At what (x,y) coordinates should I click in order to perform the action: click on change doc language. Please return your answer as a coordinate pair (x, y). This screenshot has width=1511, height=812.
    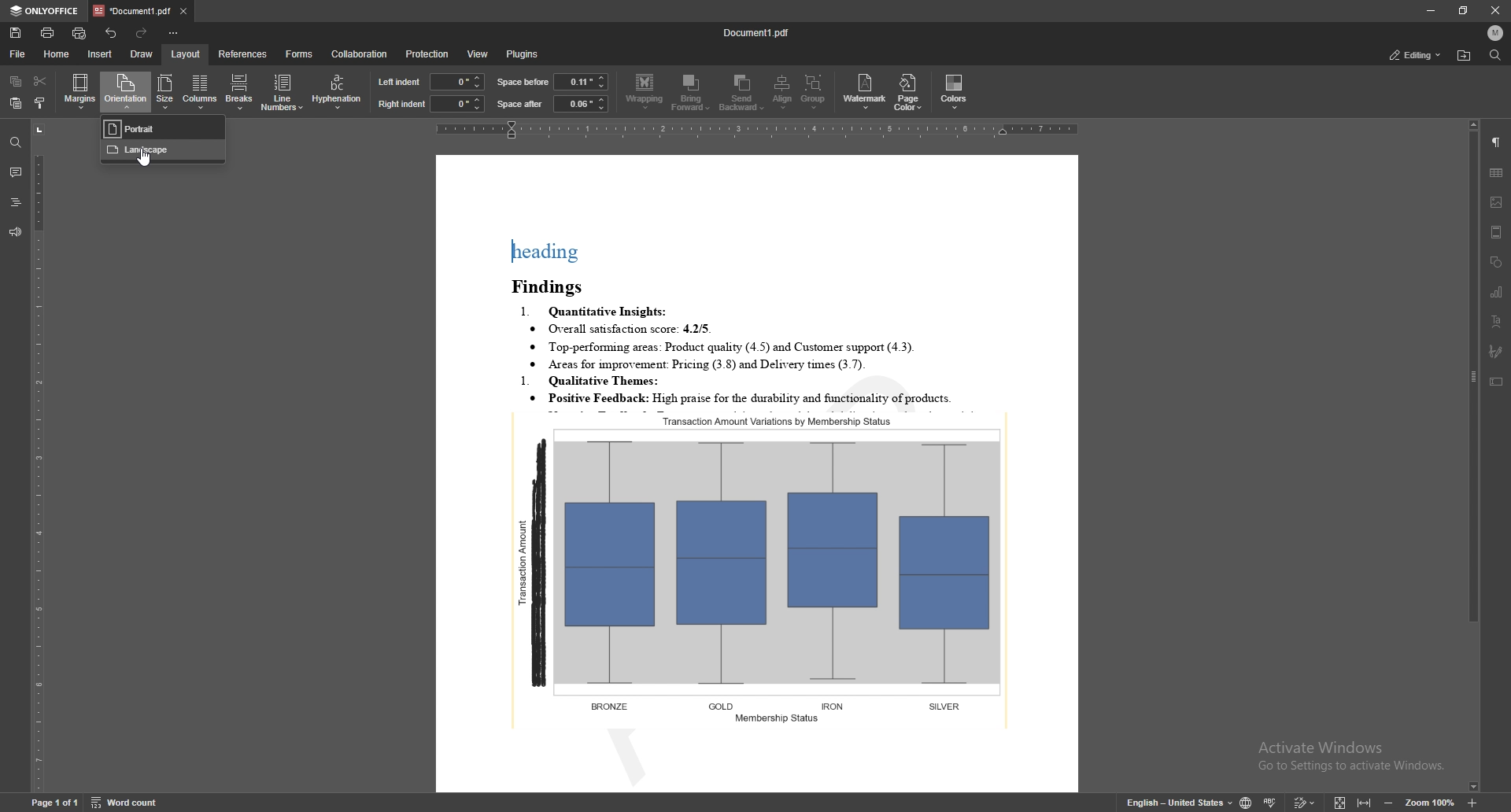
    Looking at the image, I should click on (1247, 801).